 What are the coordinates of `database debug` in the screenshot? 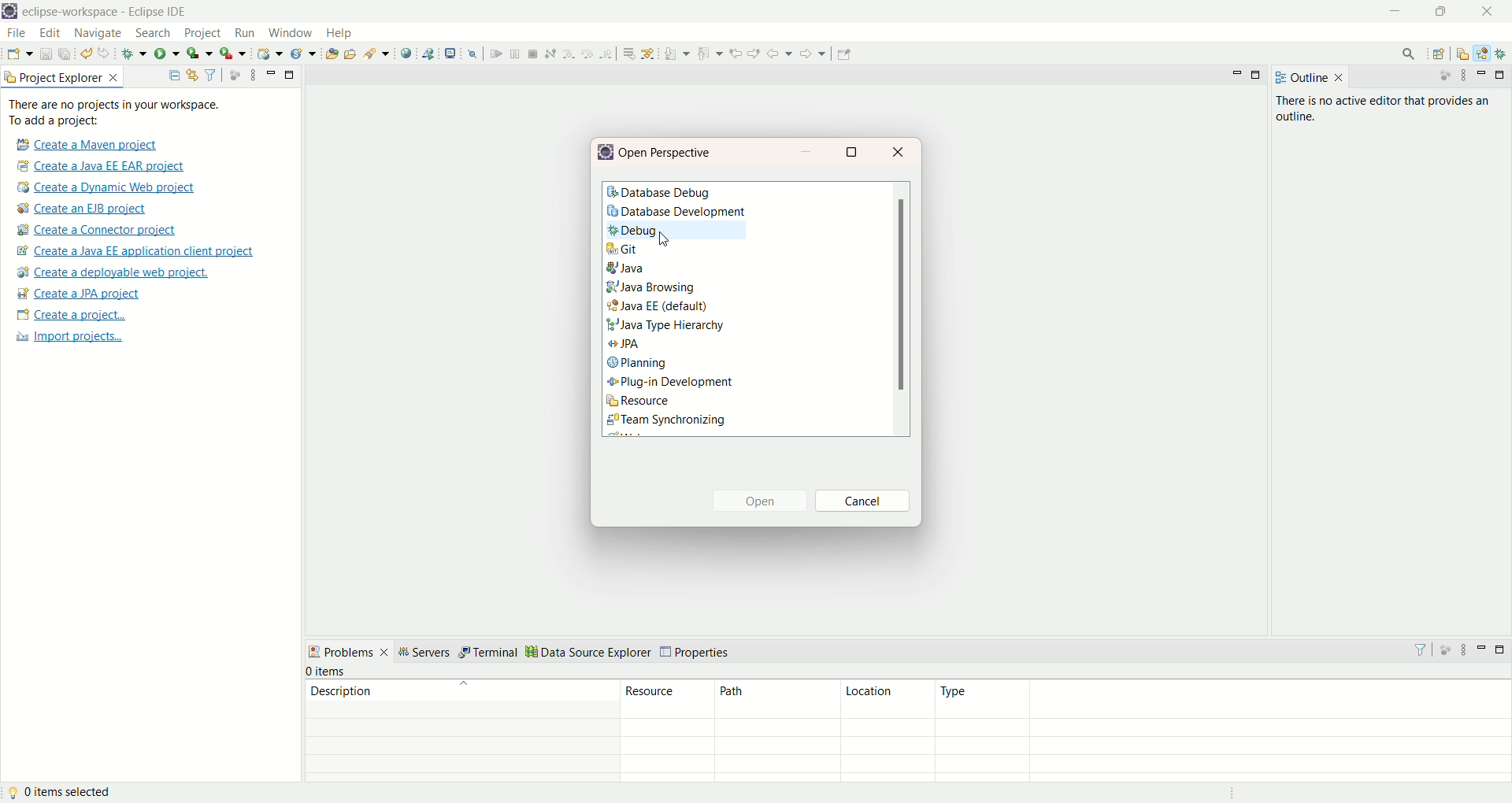 It's located at (661, 194).